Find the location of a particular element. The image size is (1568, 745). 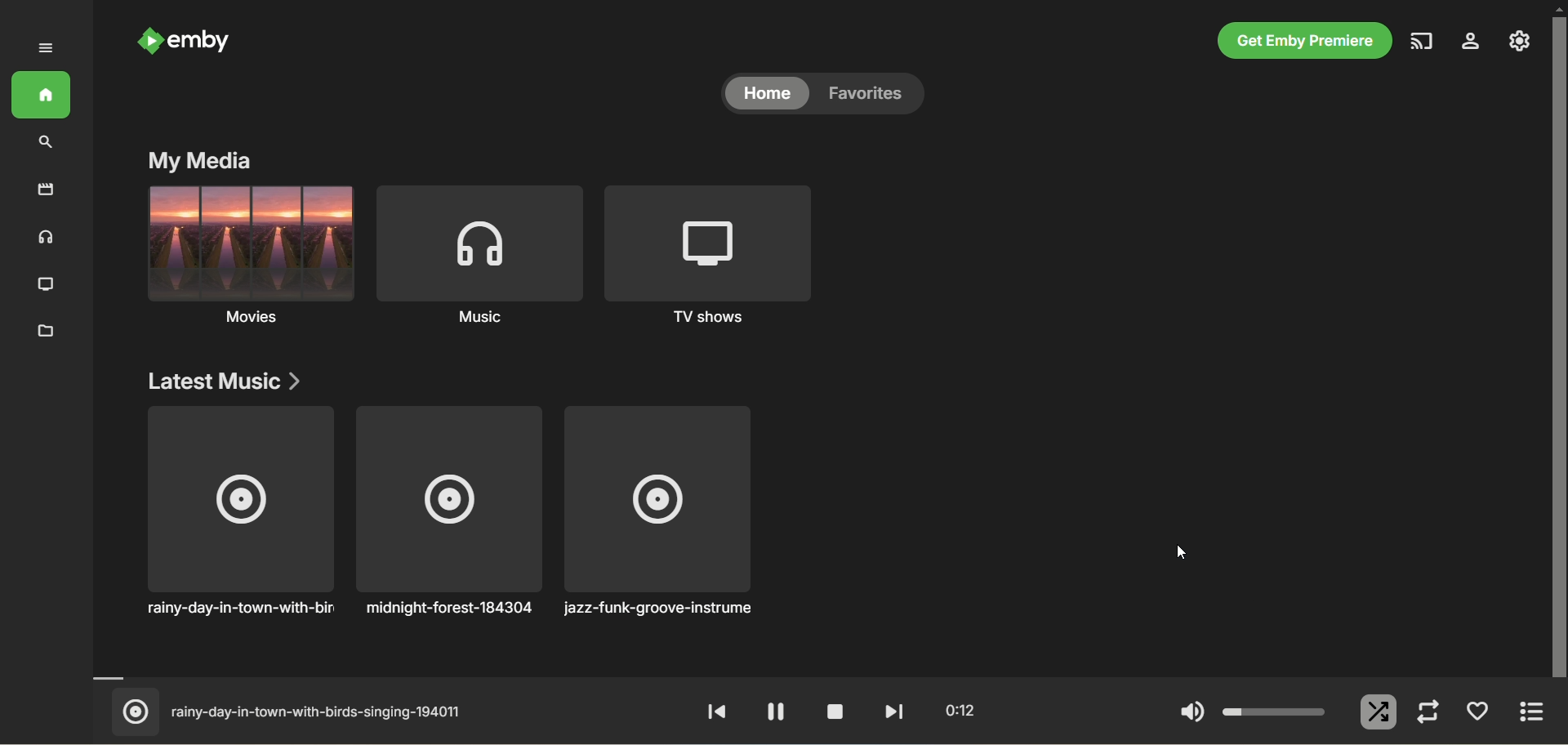

play on another device is located at coordinates (1424, 42).